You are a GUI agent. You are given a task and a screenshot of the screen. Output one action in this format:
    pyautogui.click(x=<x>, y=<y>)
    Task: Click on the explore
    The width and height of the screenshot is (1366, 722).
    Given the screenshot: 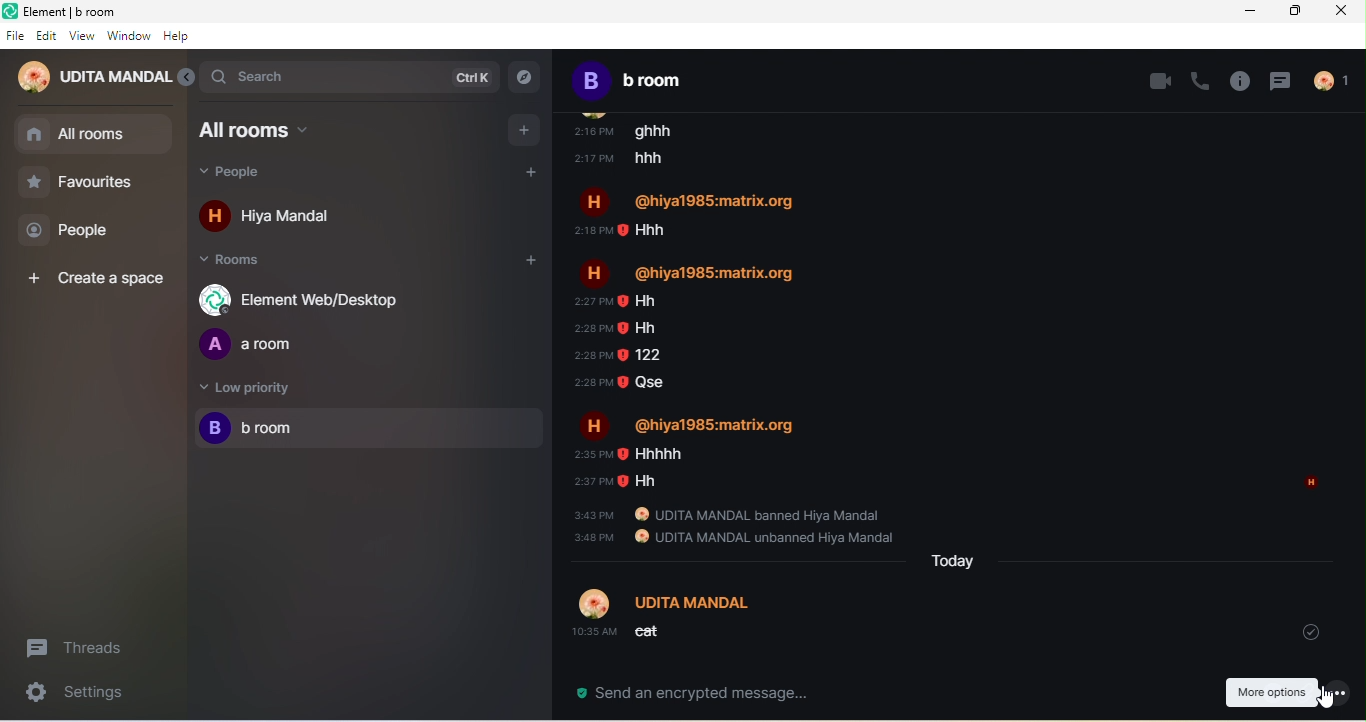 What is the action you would take?
    pyautogui.click(x=525, y=78)
    